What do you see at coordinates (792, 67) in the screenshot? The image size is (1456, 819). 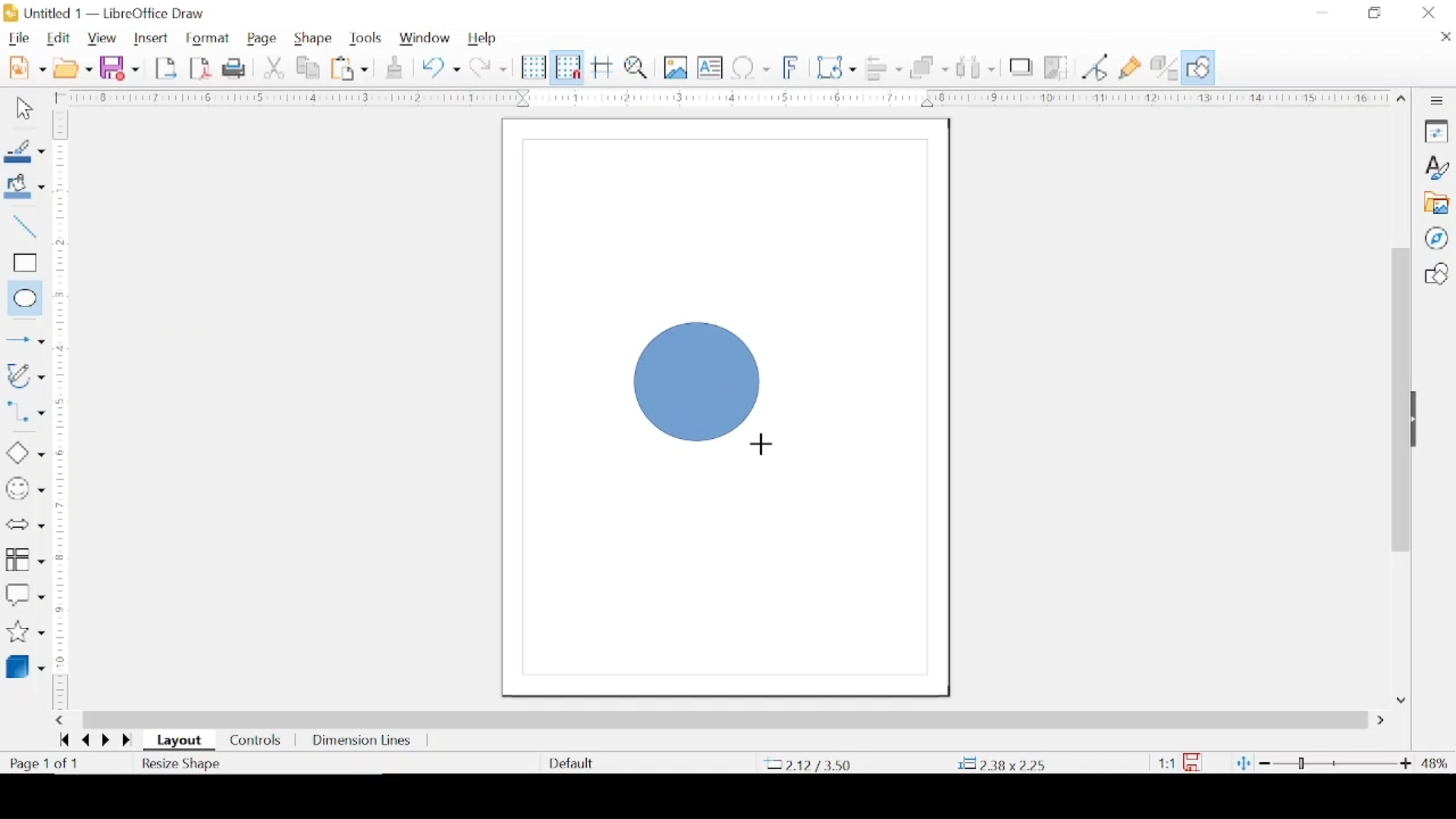 I see `insert fontwork text` at bounding box center [792, 67].